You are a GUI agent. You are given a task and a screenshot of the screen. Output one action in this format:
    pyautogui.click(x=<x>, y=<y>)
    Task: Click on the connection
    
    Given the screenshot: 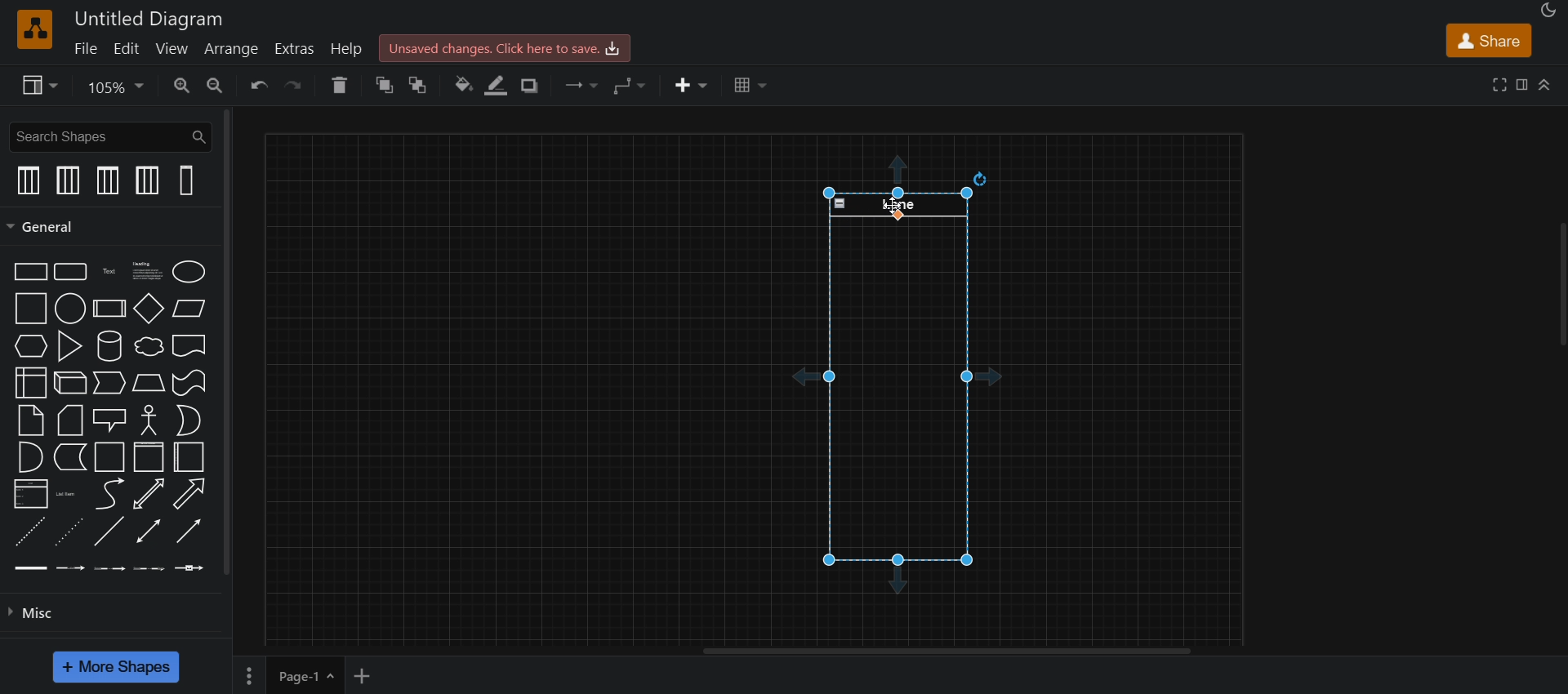 What is the action you would take?
    pyautogui.click(x=584, y=84)
    